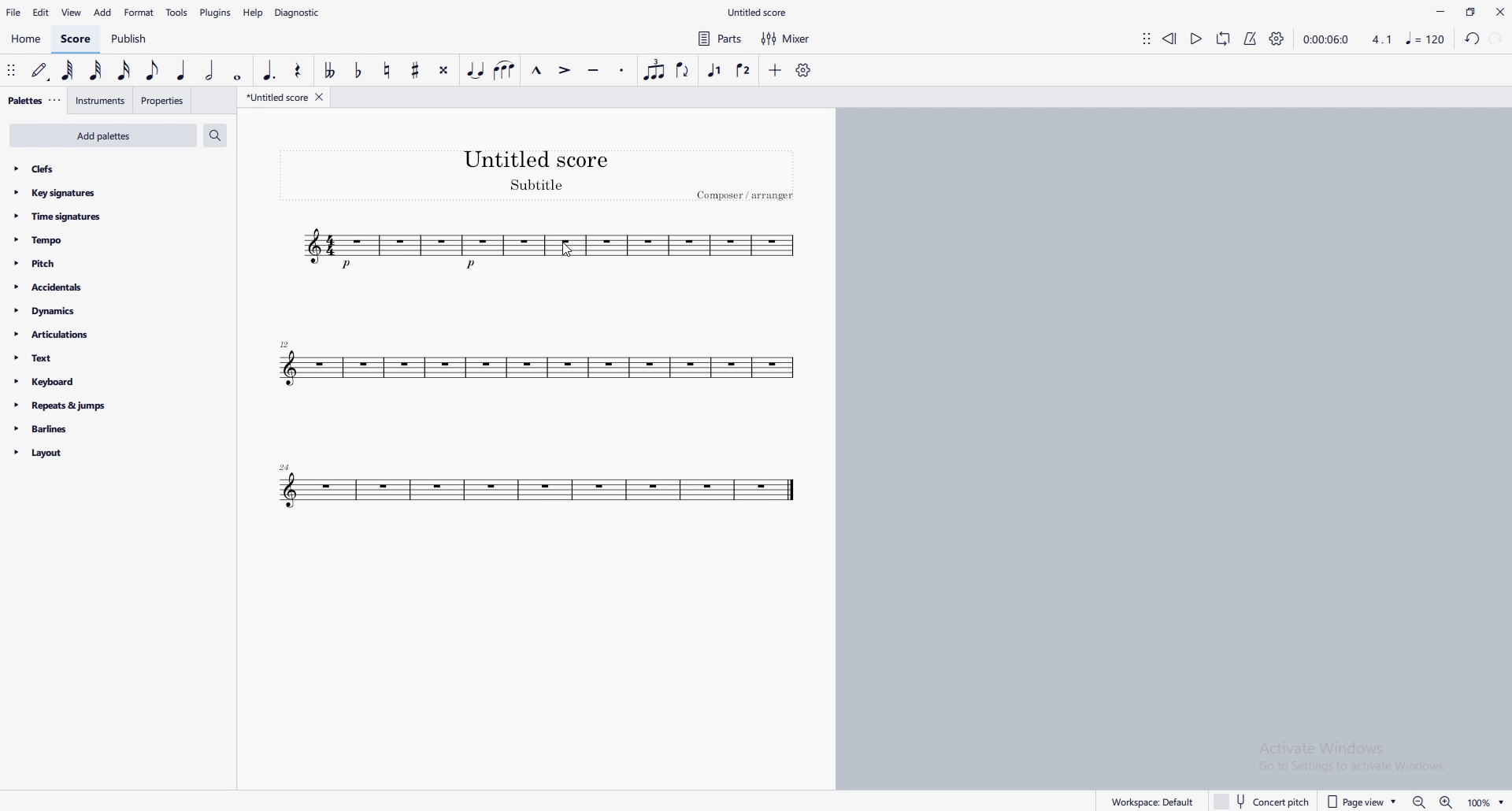 This screenshot has width=1512, height=811. I want to click on view, so click(72, 13).